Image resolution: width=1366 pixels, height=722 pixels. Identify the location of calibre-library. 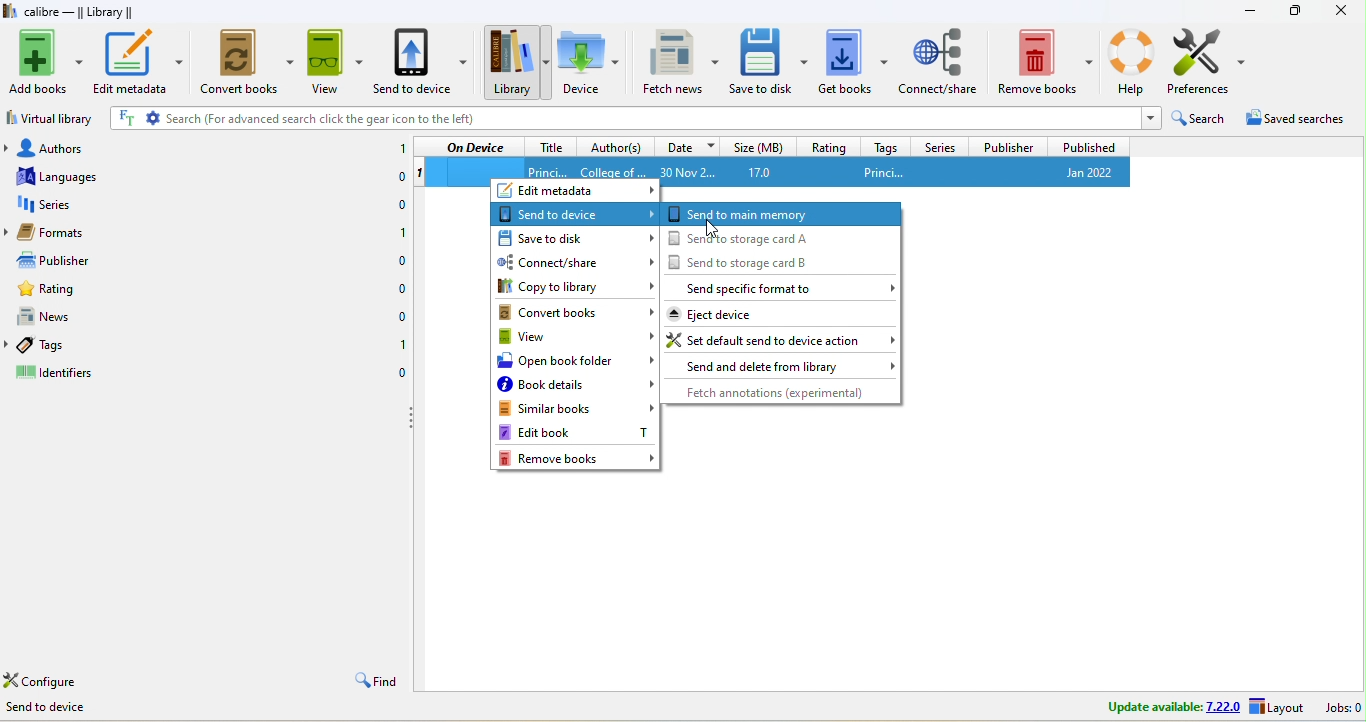
(85, 13).